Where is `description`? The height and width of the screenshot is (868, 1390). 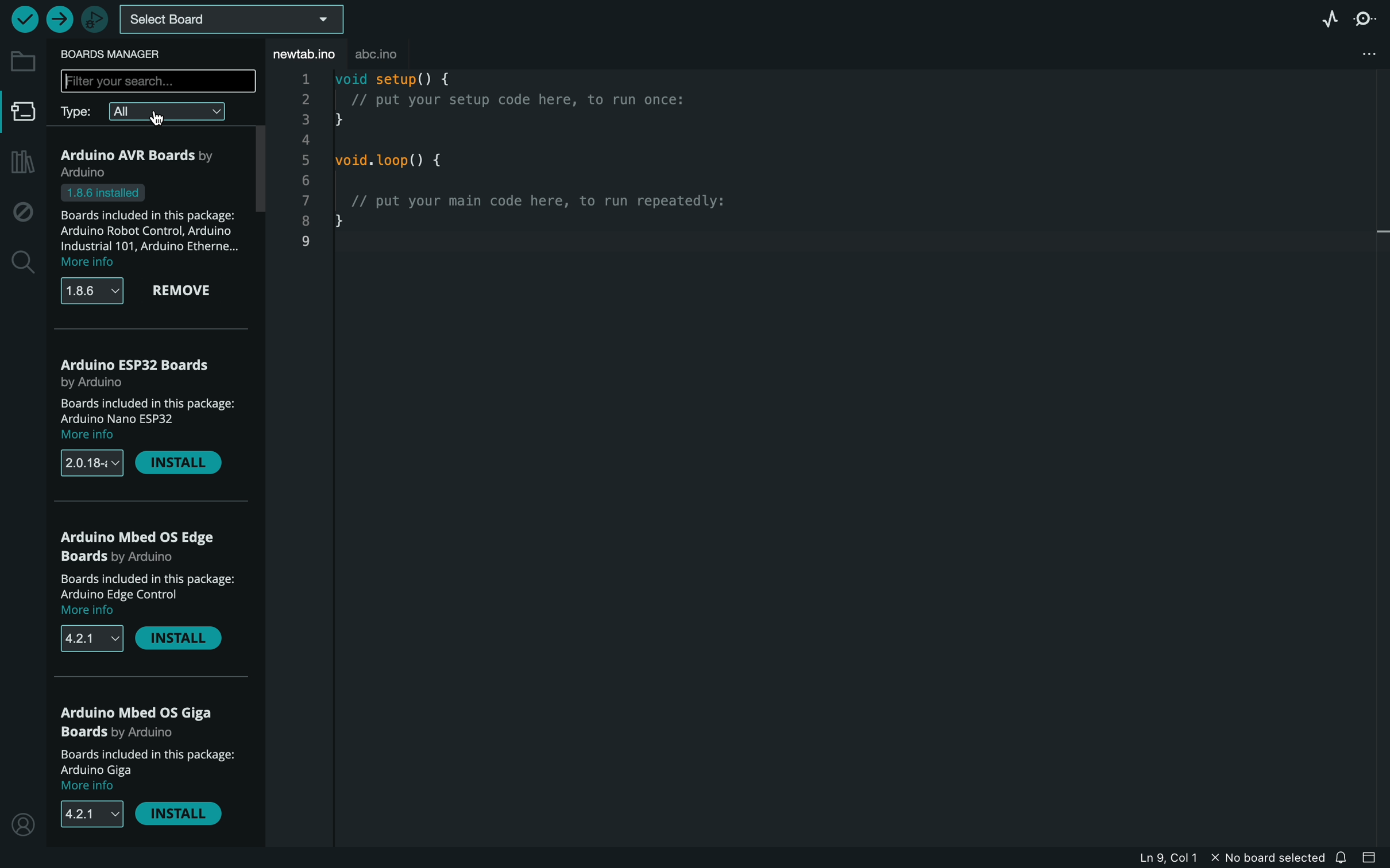
description is located at coordinates (148, 226).